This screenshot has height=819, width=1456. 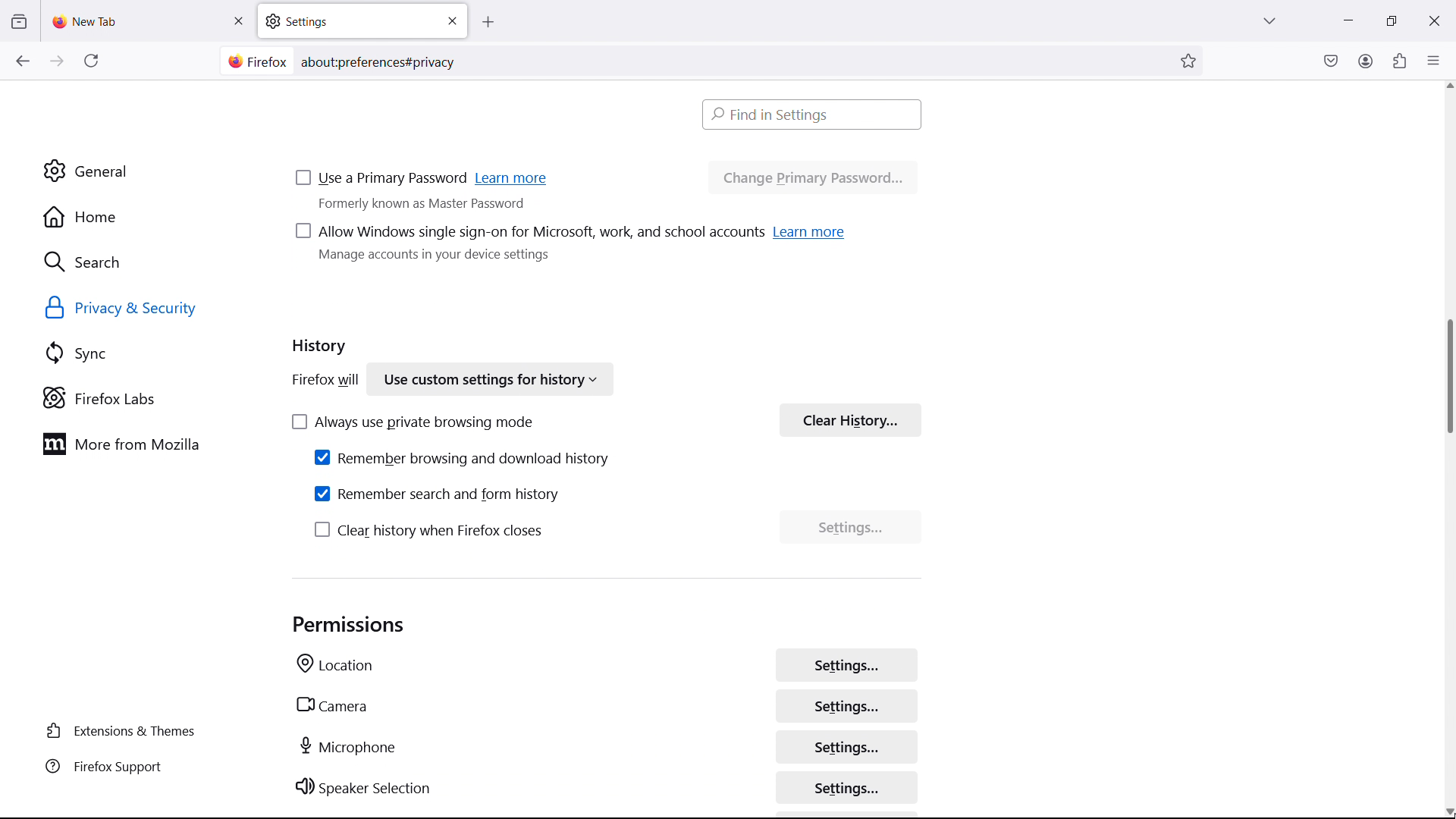 What do you see at coordinates (1190, 60) in the screenshot?
I see `bookmarks` at bounding box center [1190, 60].